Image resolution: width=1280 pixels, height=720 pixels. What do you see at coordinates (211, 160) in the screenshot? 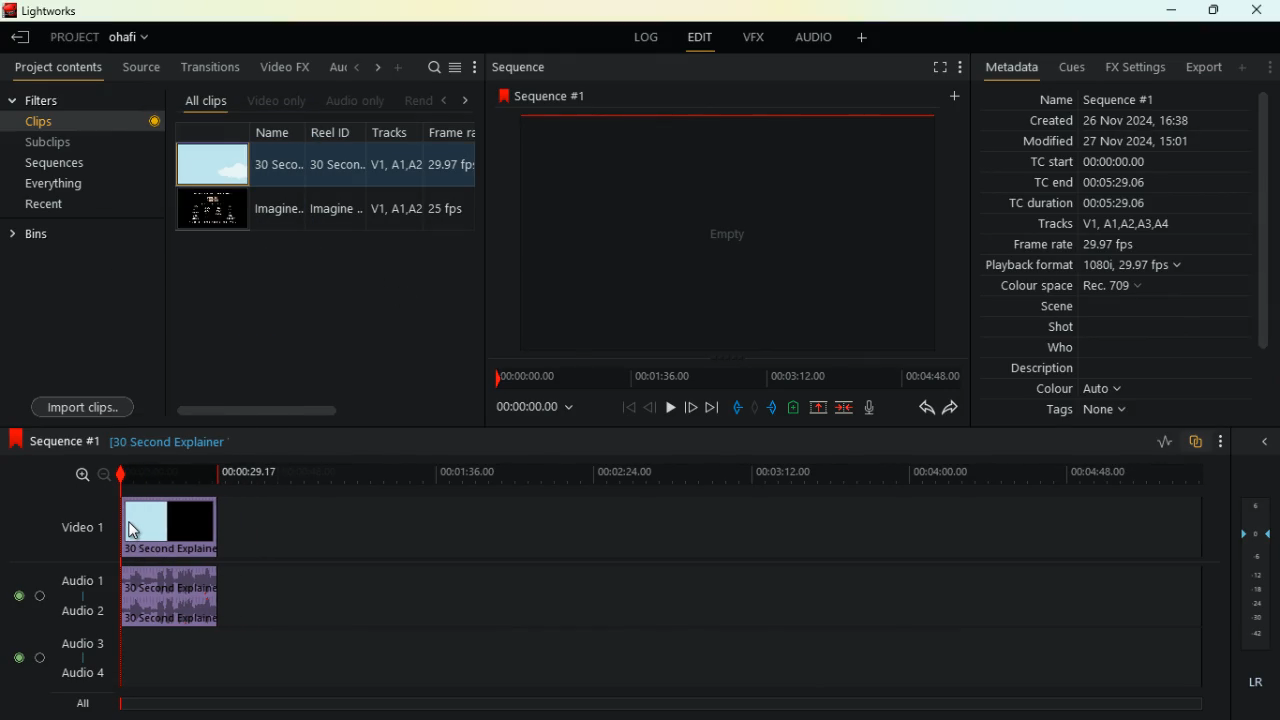
I see `video` at bounding box center [211, 160].